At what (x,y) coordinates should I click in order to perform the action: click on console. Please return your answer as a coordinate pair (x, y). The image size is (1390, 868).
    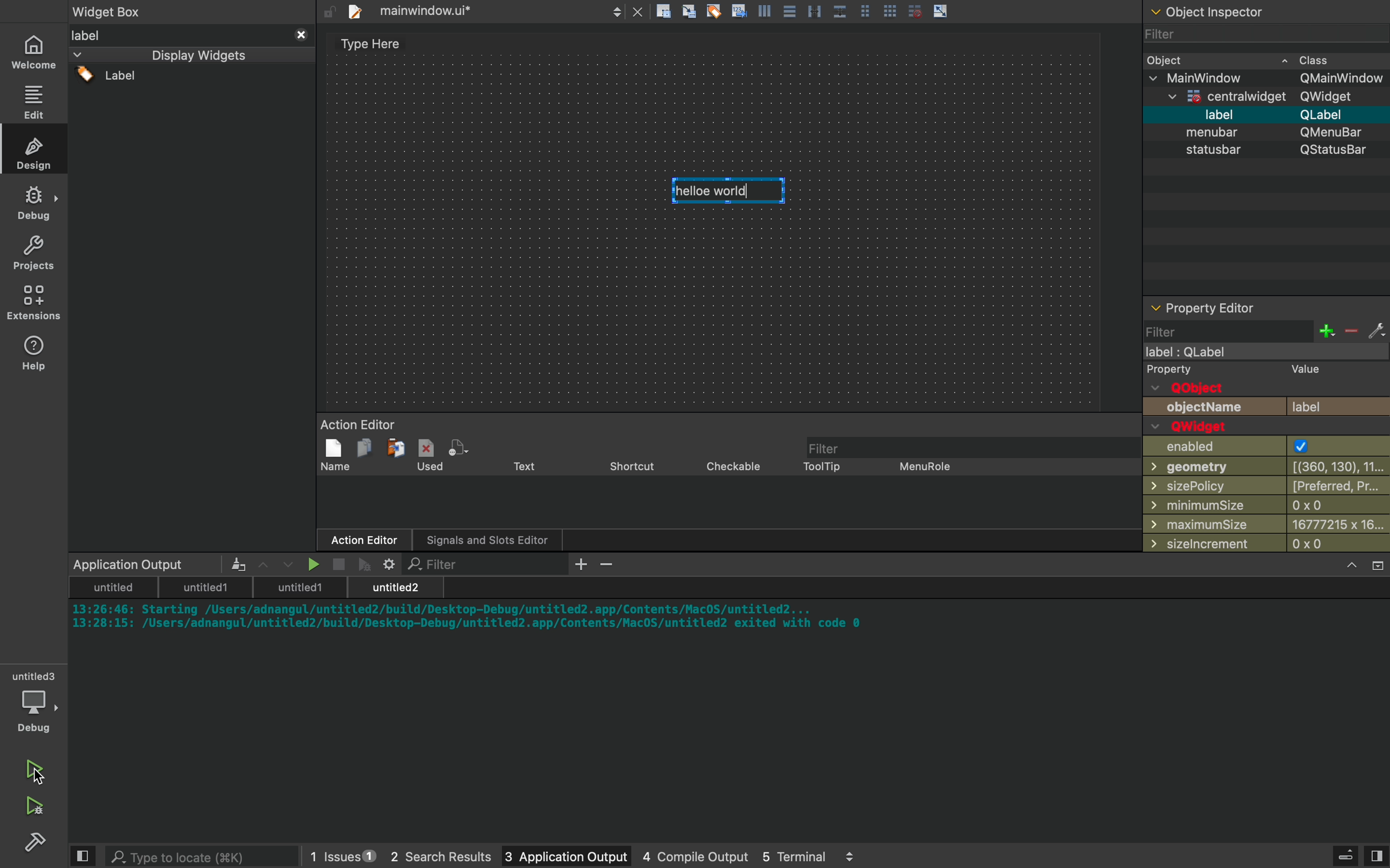
    Looking at the image, I should click on (732, 699).